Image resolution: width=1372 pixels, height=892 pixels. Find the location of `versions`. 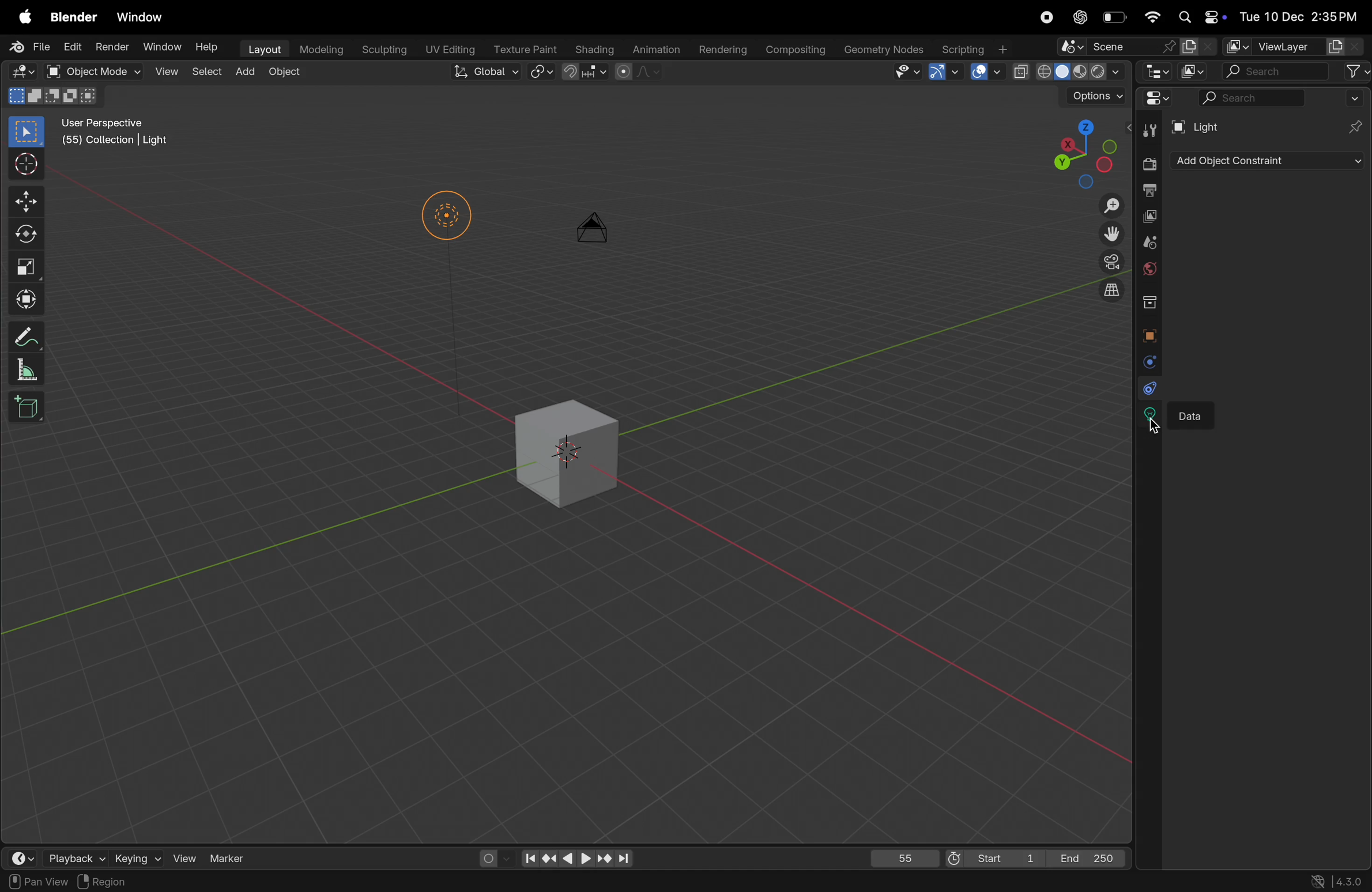

versions is located at coordinates (1335, 880).